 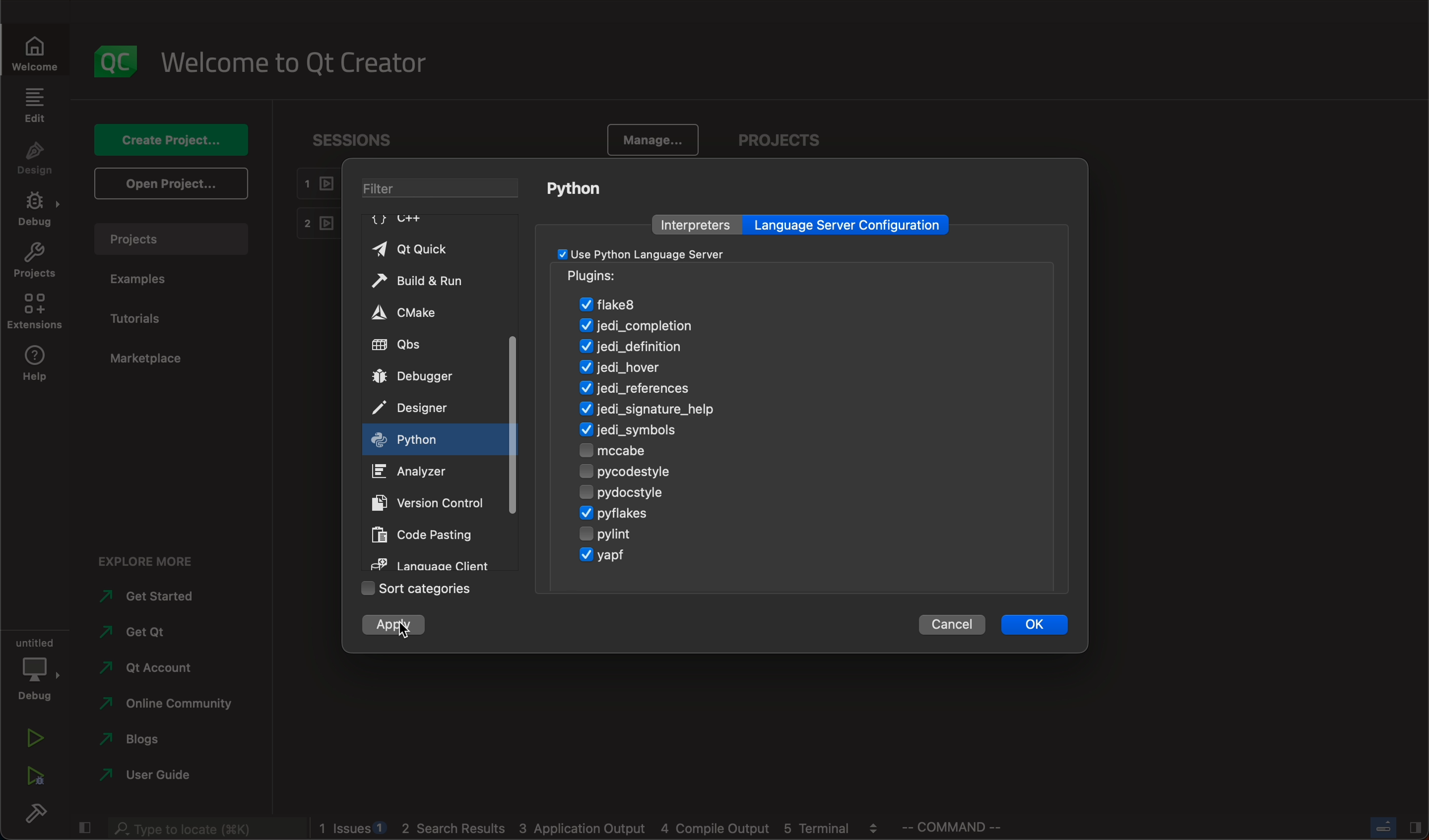 I want to click on welcome, so click(x=33, y=51).